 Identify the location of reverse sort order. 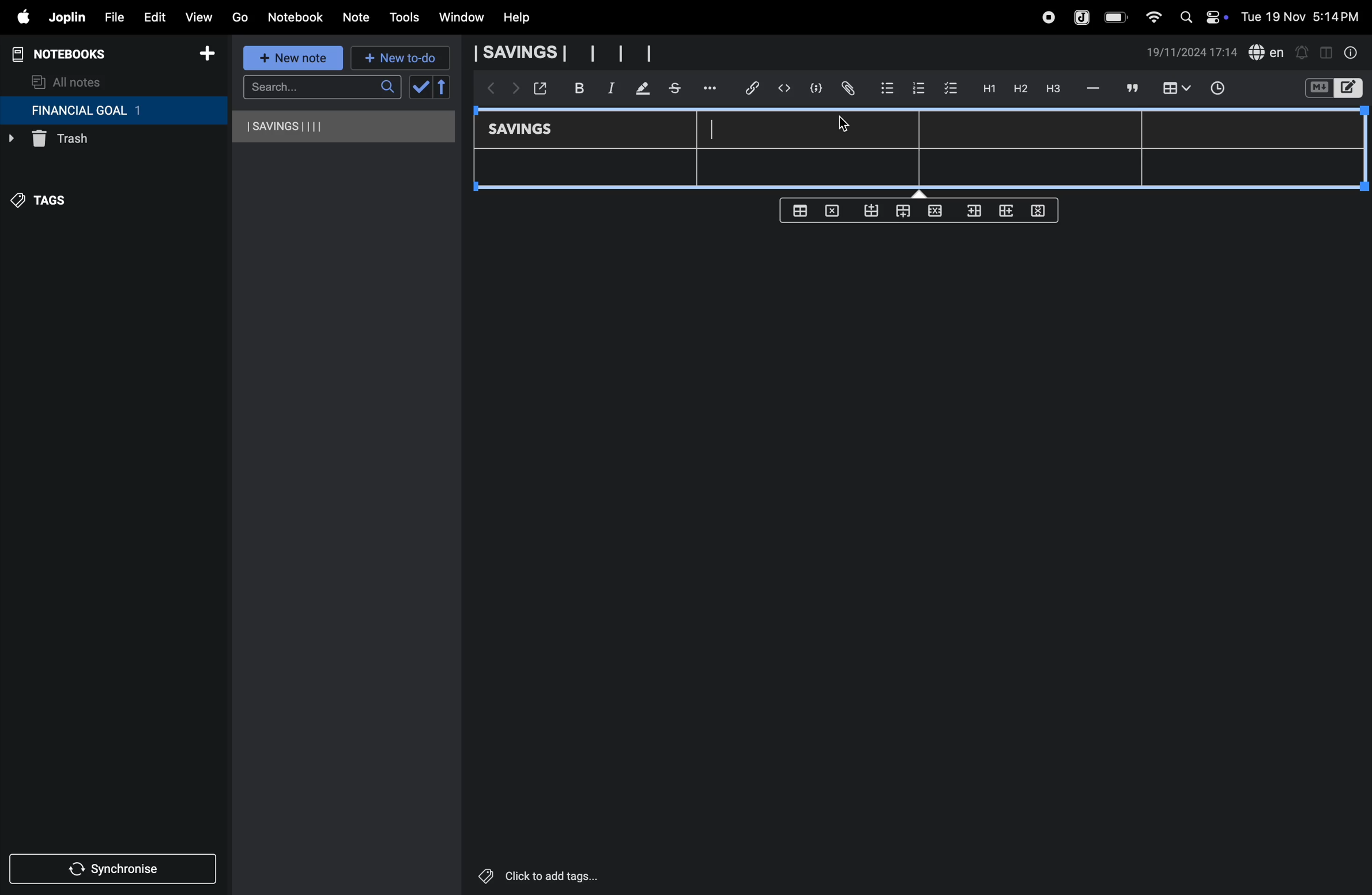
(443, 87).